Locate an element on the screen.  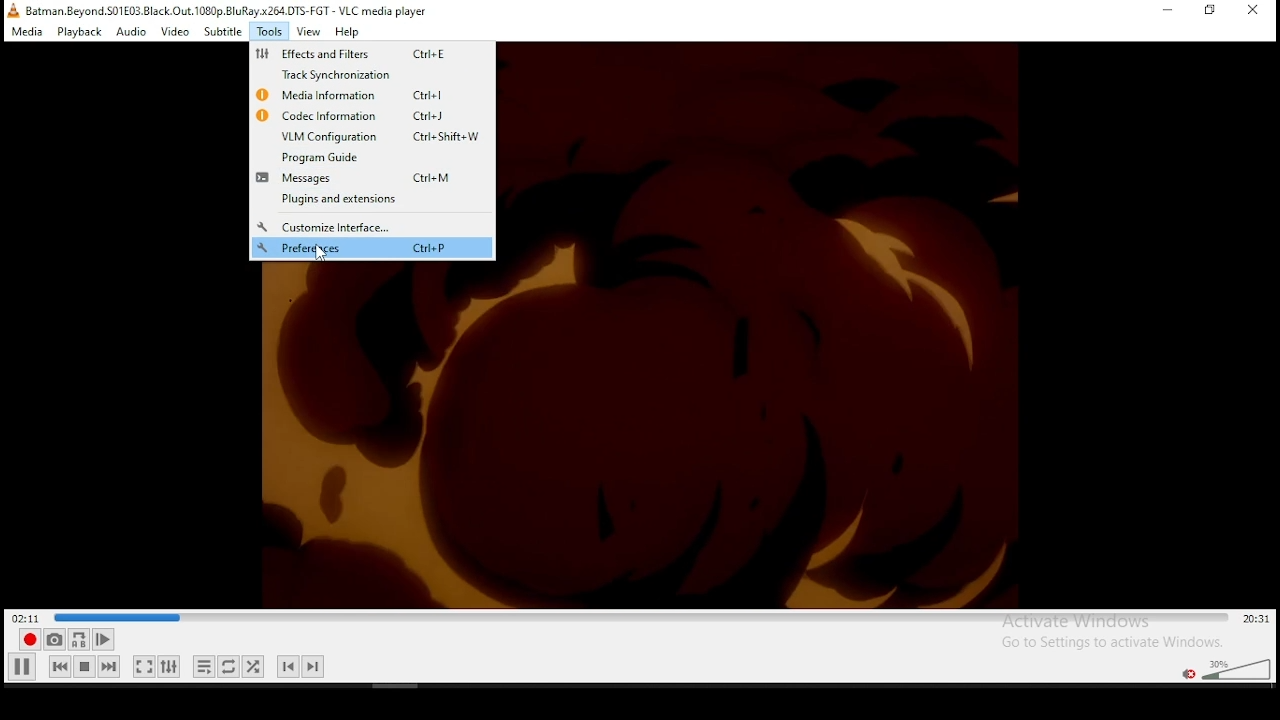
toggle between loop all, loop one, and no loop is located at coordinates (228, 666).